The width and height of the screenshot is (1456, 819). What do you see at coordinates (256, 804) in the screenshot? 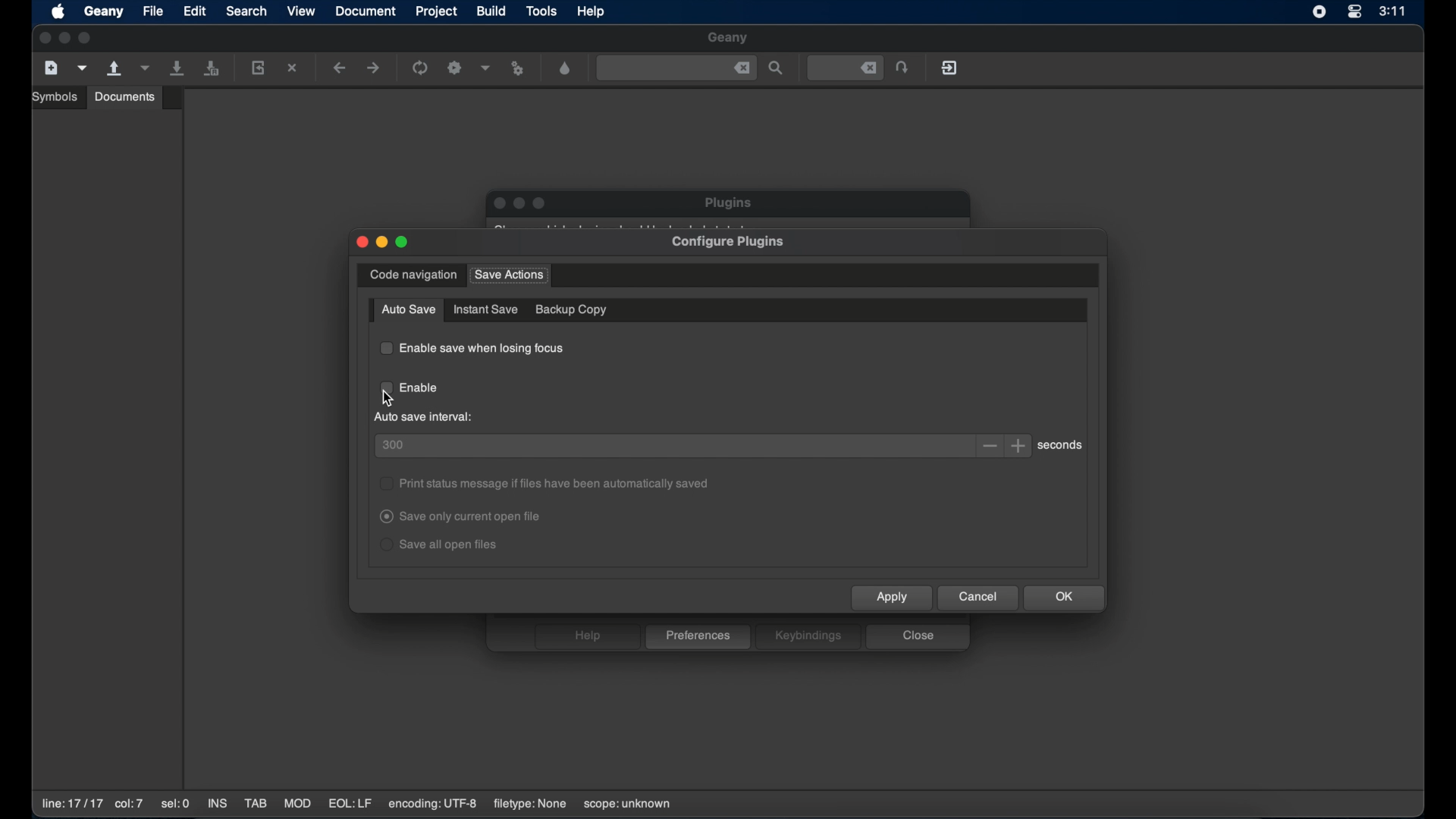
I see `TAB` at bounding box center [256, 804].